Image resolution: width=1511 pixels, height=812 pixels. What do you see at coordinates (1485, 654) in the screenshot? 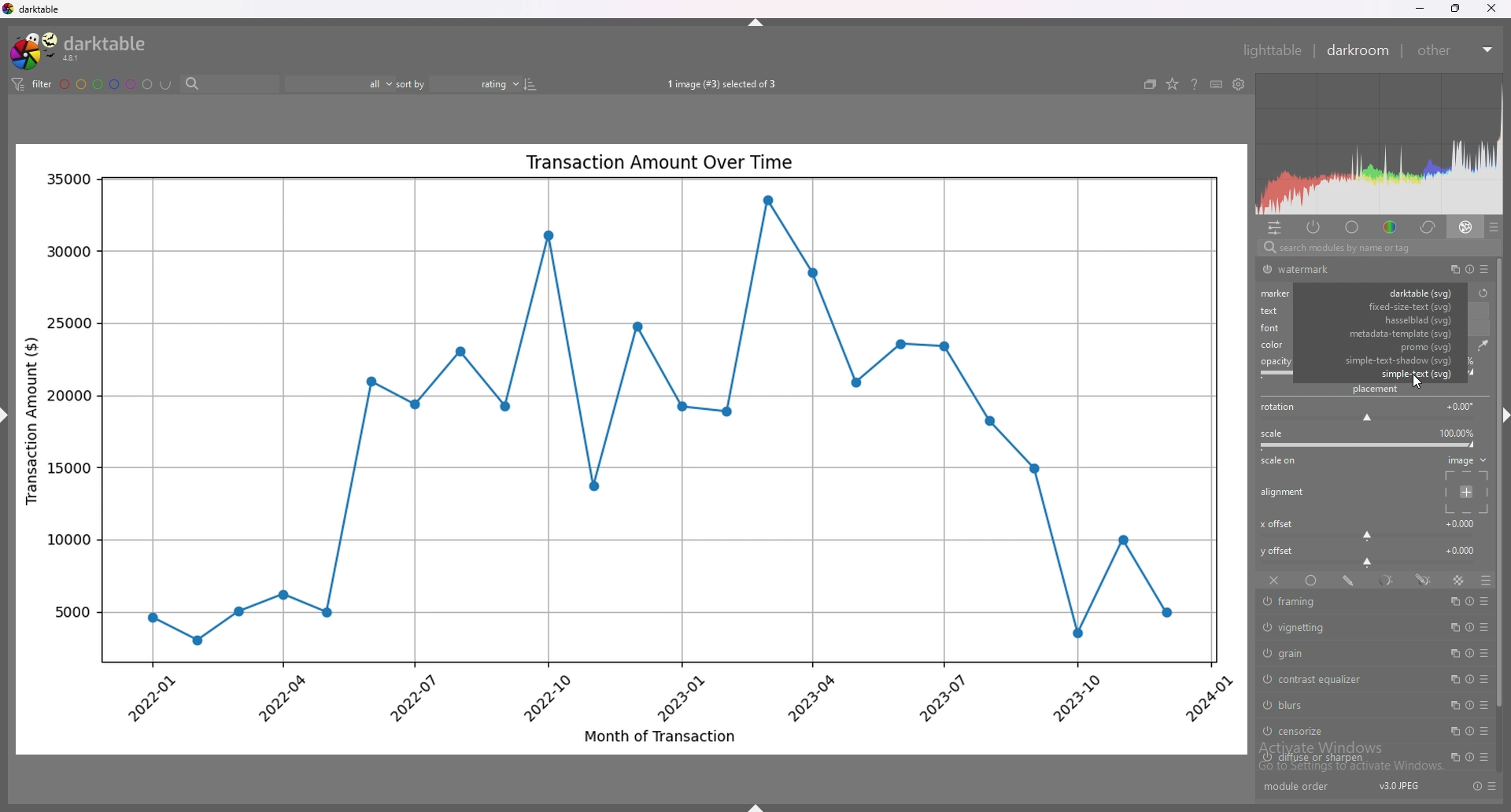
I see `presets` at bounding box center [1485, 654].